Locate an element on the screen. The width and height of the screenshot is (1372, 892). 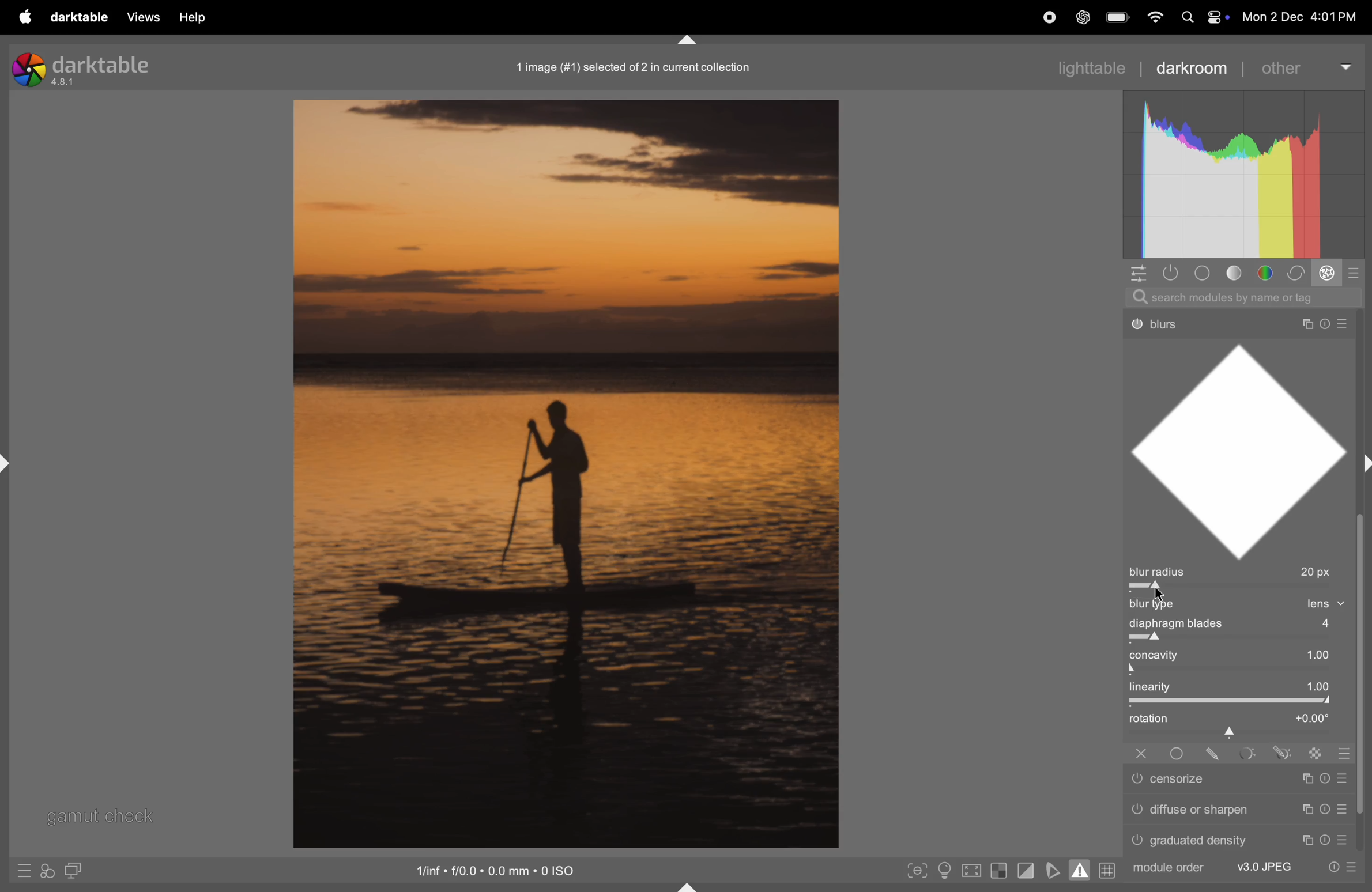
base is located at coordinates (1206, 273).